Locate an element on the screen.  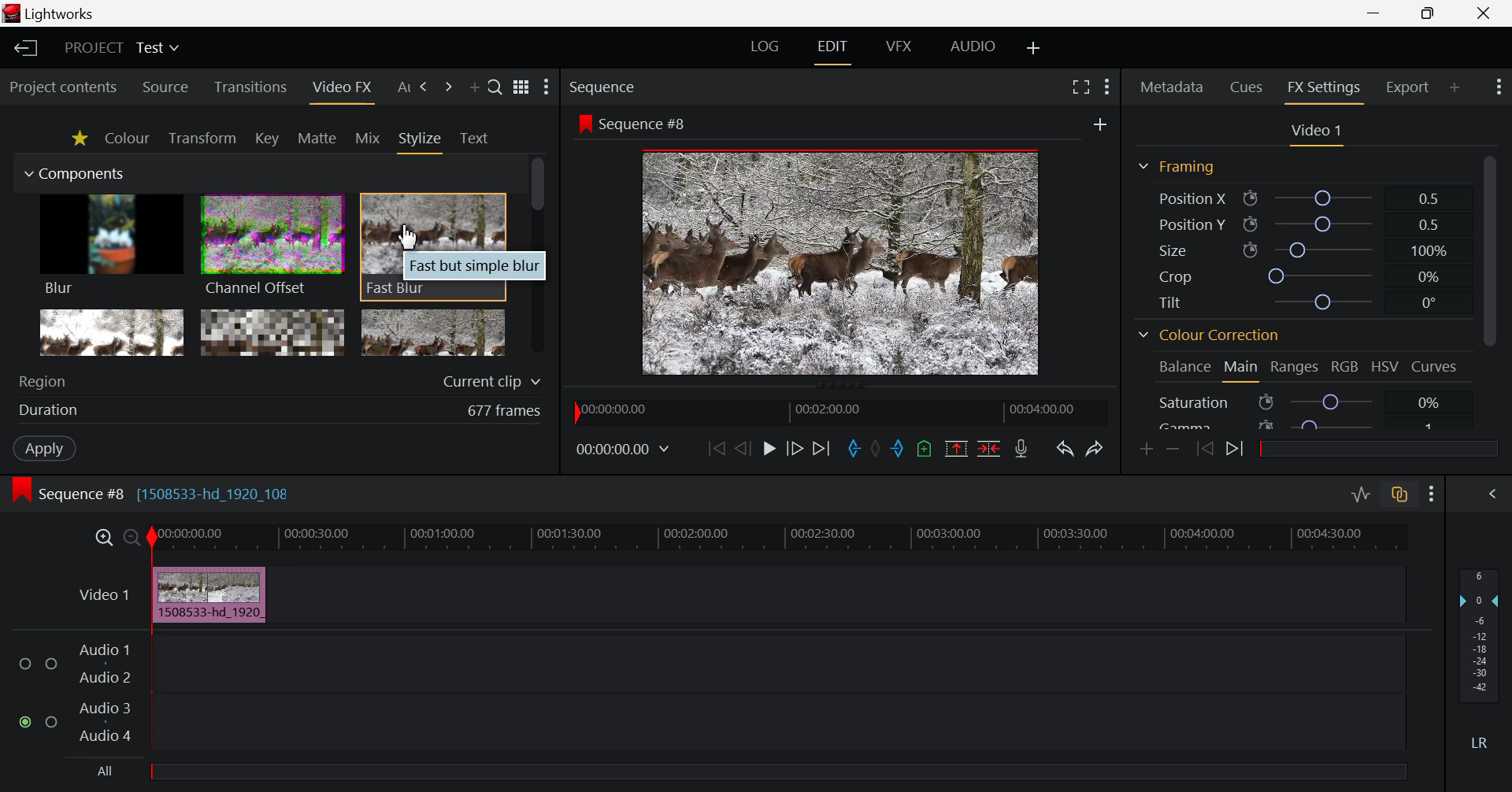
To the Start is located at coordinates (715, 450).